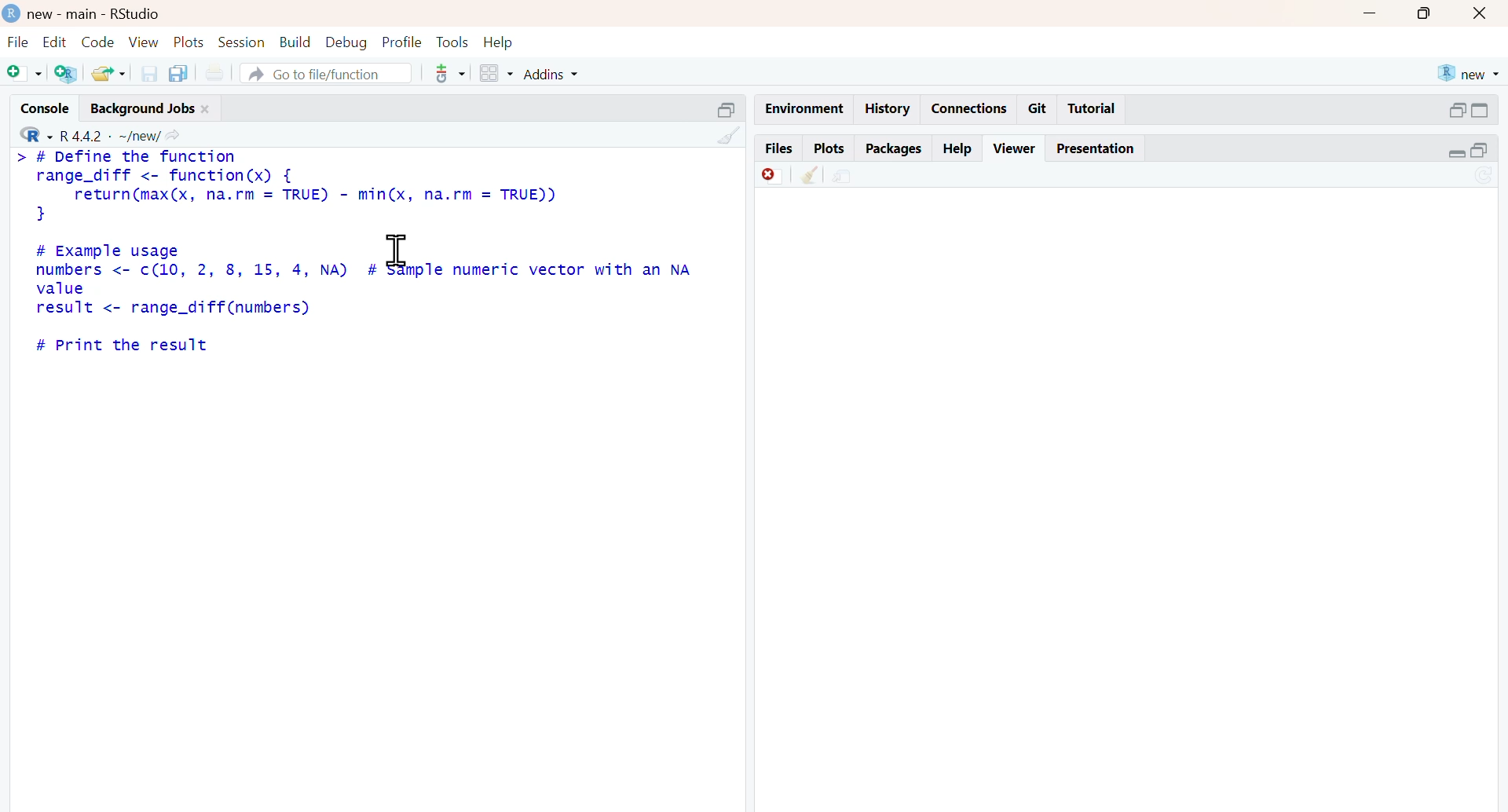  I want to click on console, so click(49, 108).